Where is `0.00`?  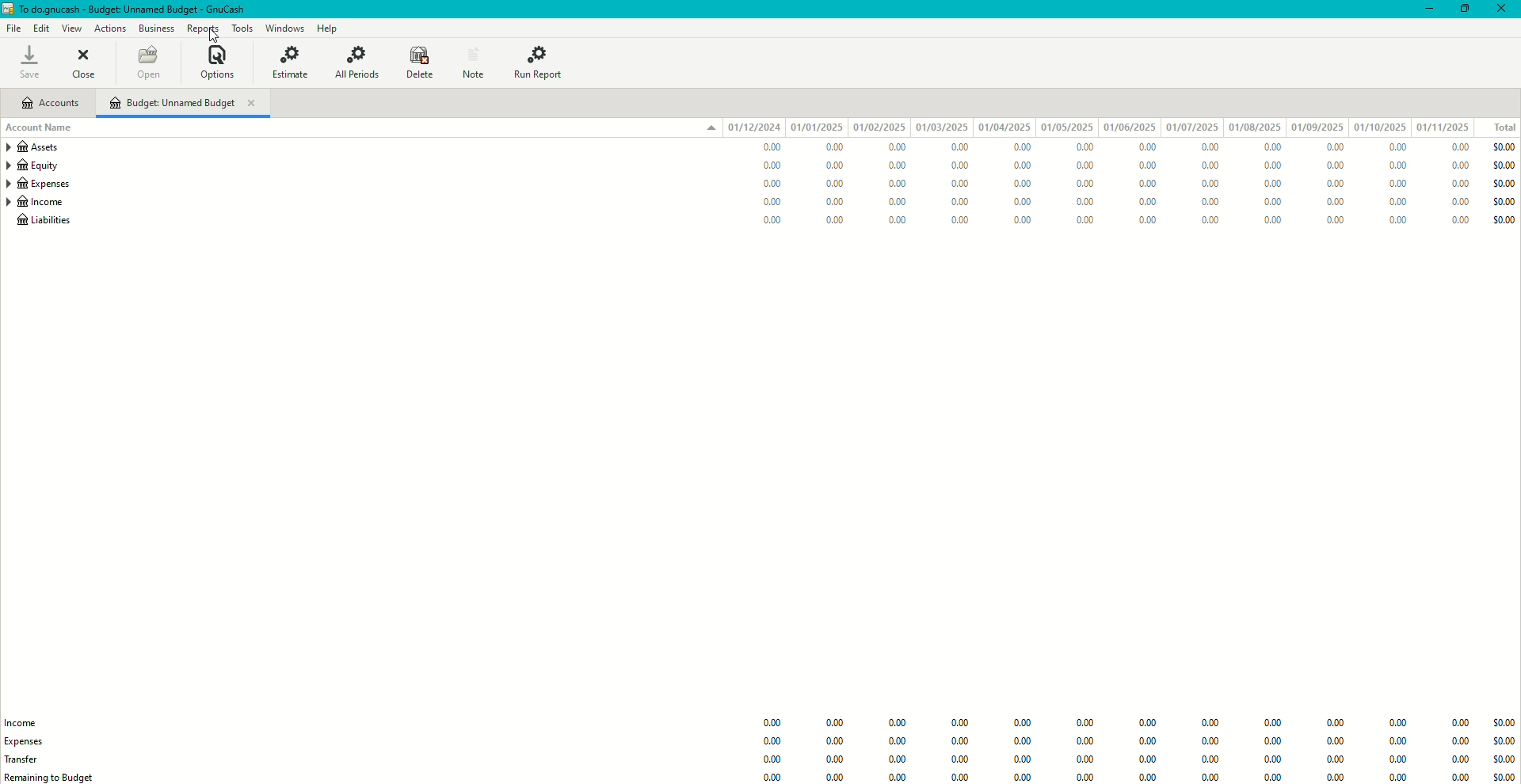 0.00 is located at coordinates (962, 742).